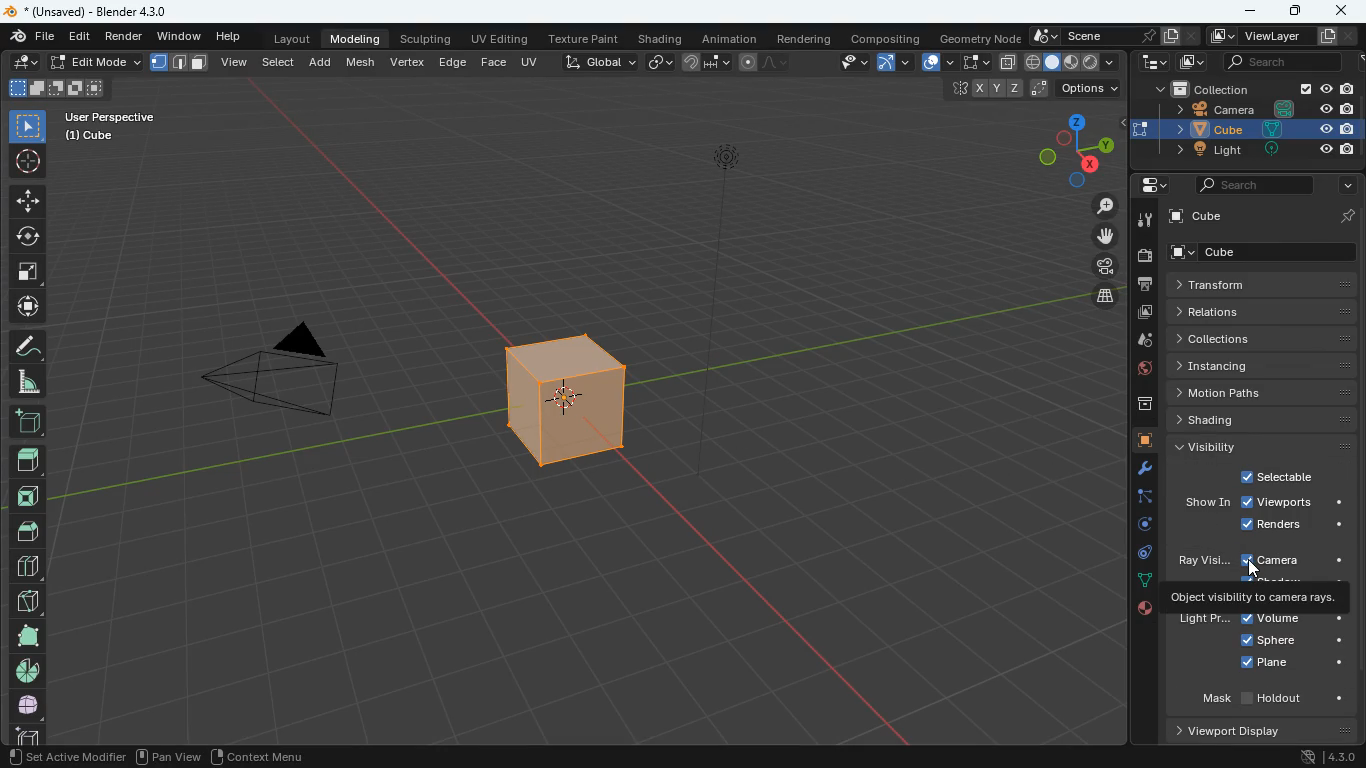 The height and width of the screenshot is (768, 1366). What do you see at coordinates (1281, 36) in the screenshot?
I see `viewlayer` at bounding box center [1281, 36].